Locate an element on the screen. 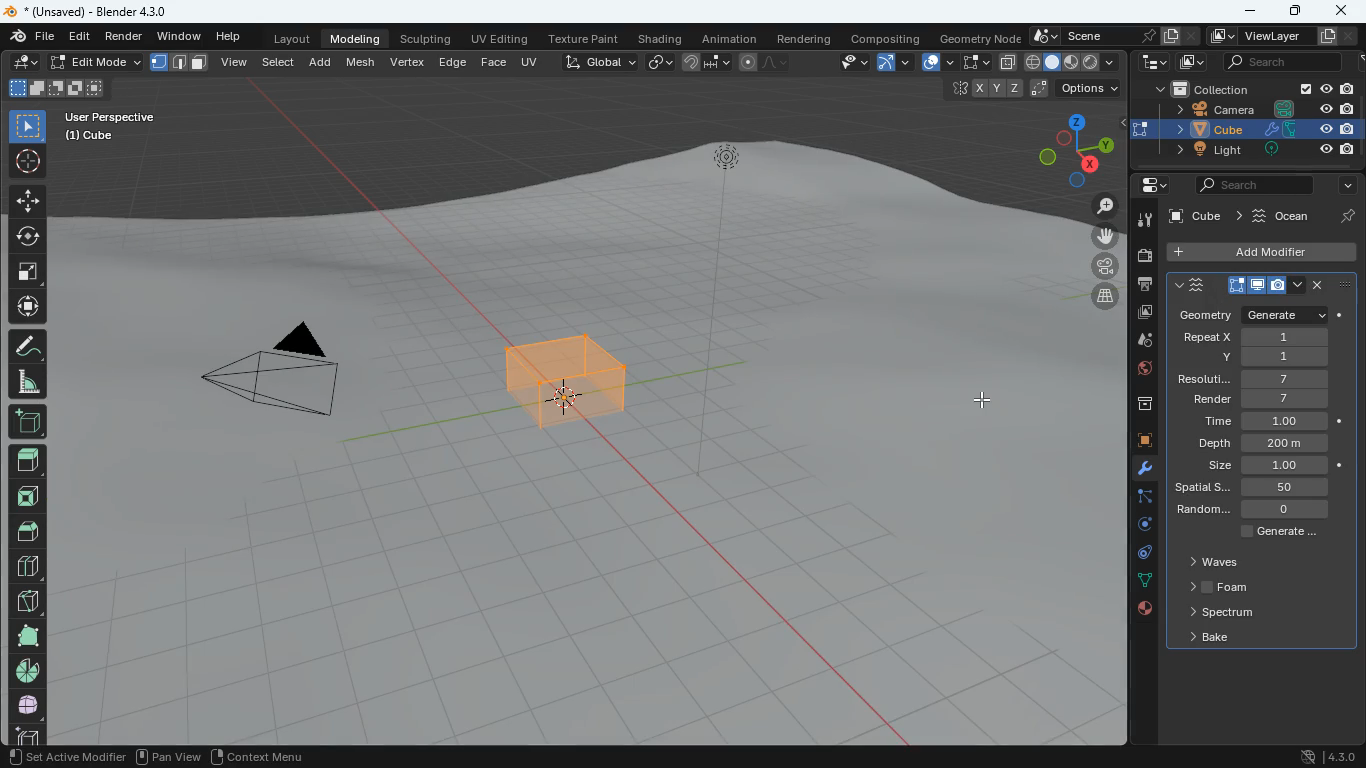 The image size is (1366, 768). camera is located at coordinates (272, 376).